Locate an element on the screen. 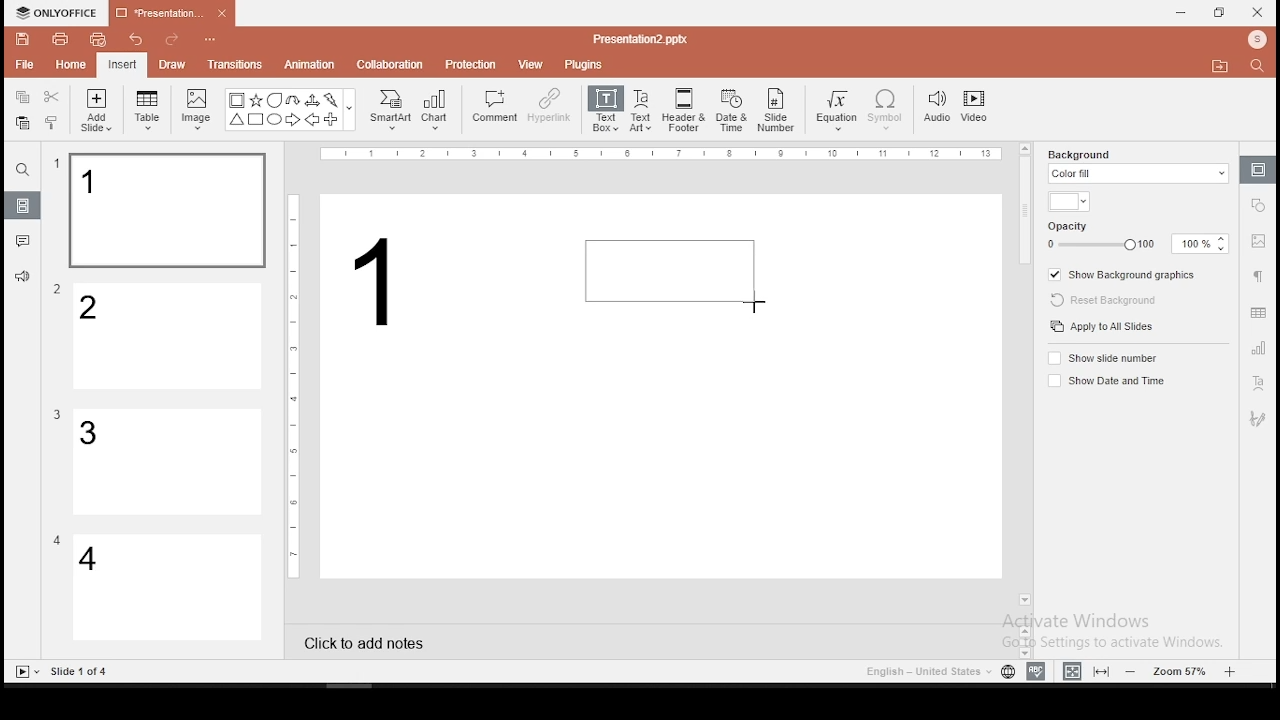 The image size is (1280, 720). Slide is located at coordinates (23, 672).